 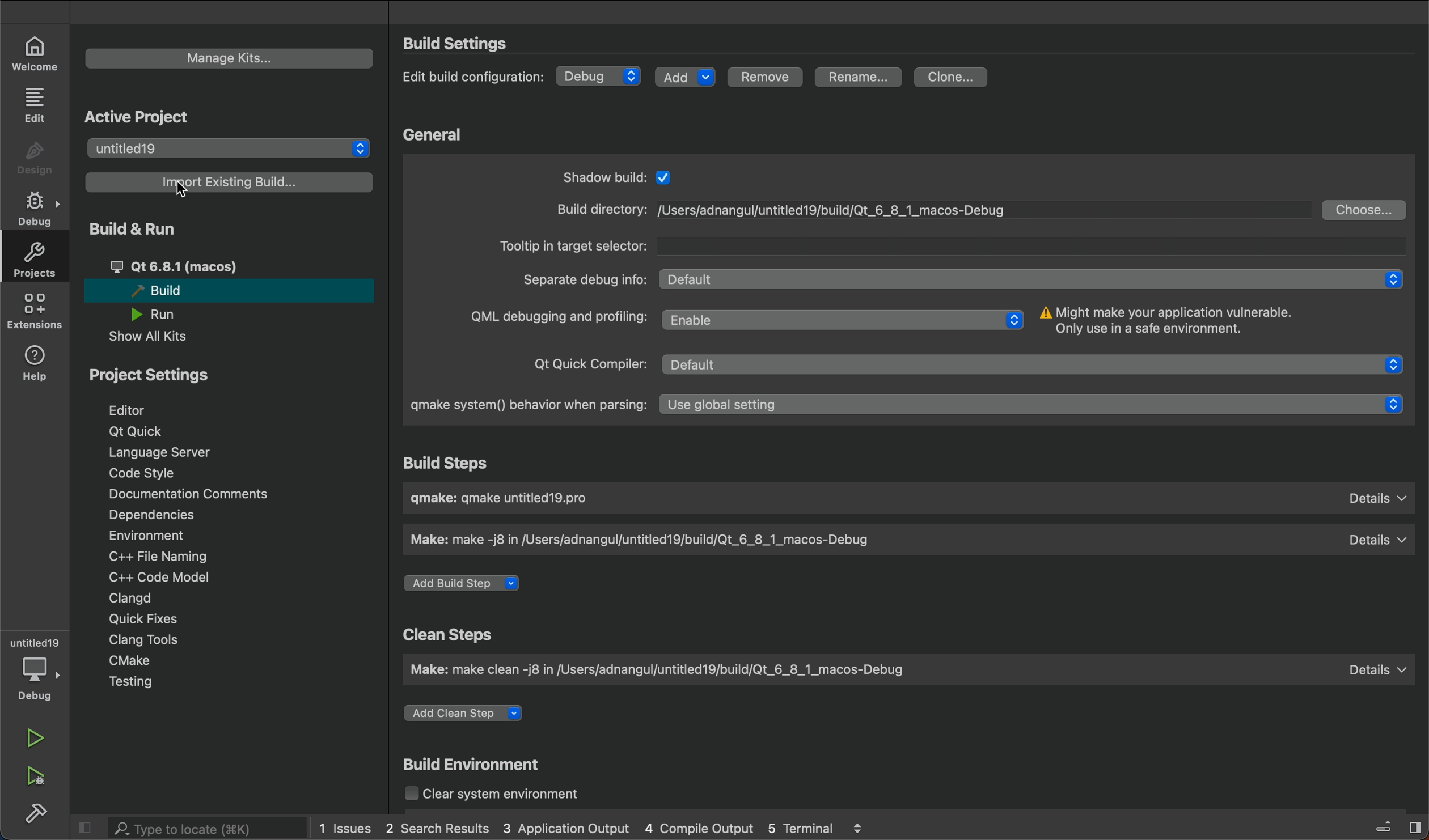 I want to click on tooltp, so click(x=958, y=247).